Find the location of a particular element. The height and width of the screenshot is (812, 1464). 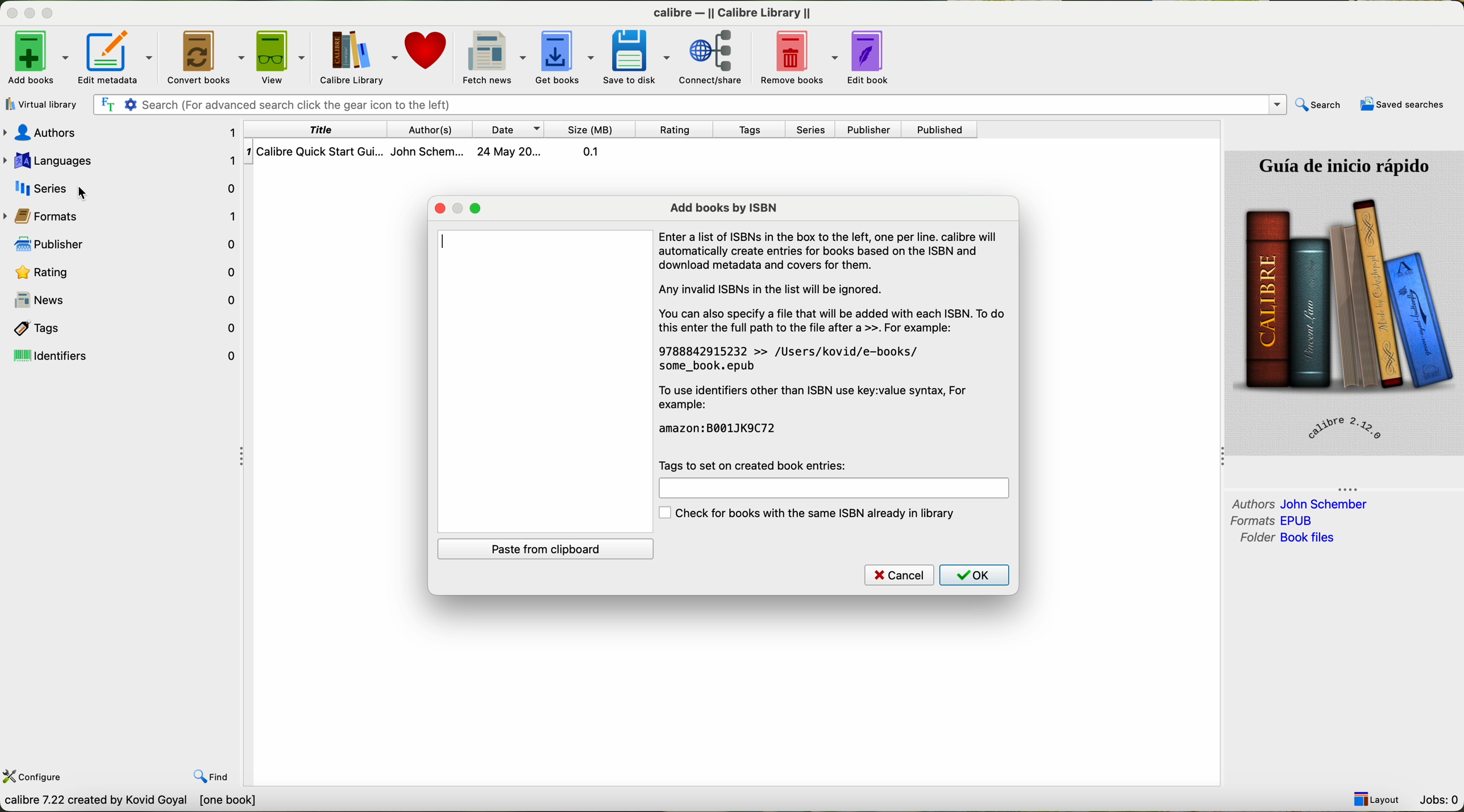

Rating is located at coordinates (128, 274).